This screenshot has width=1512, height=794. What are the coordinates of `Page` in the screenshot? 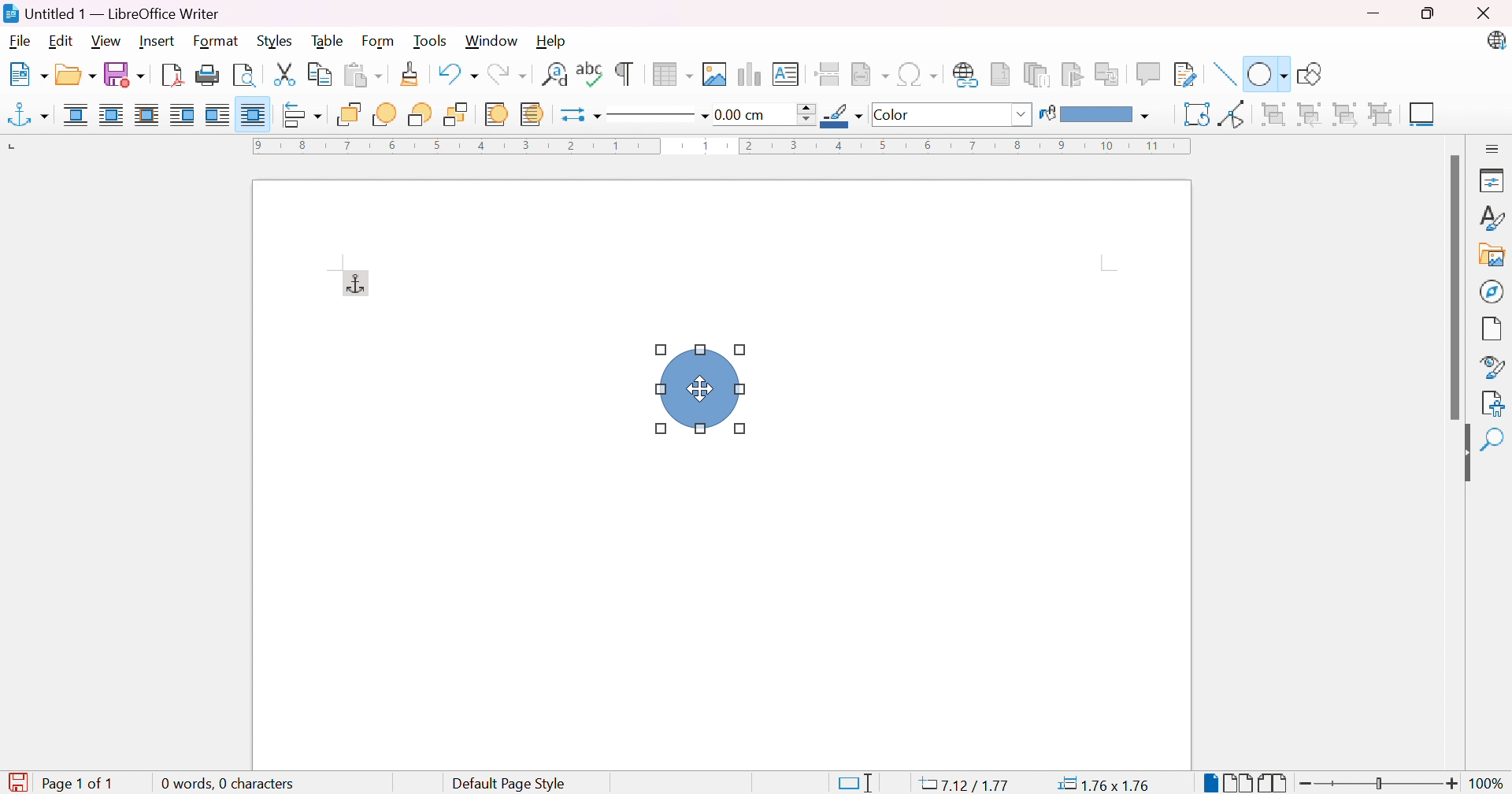 It's located at (1492, 331).